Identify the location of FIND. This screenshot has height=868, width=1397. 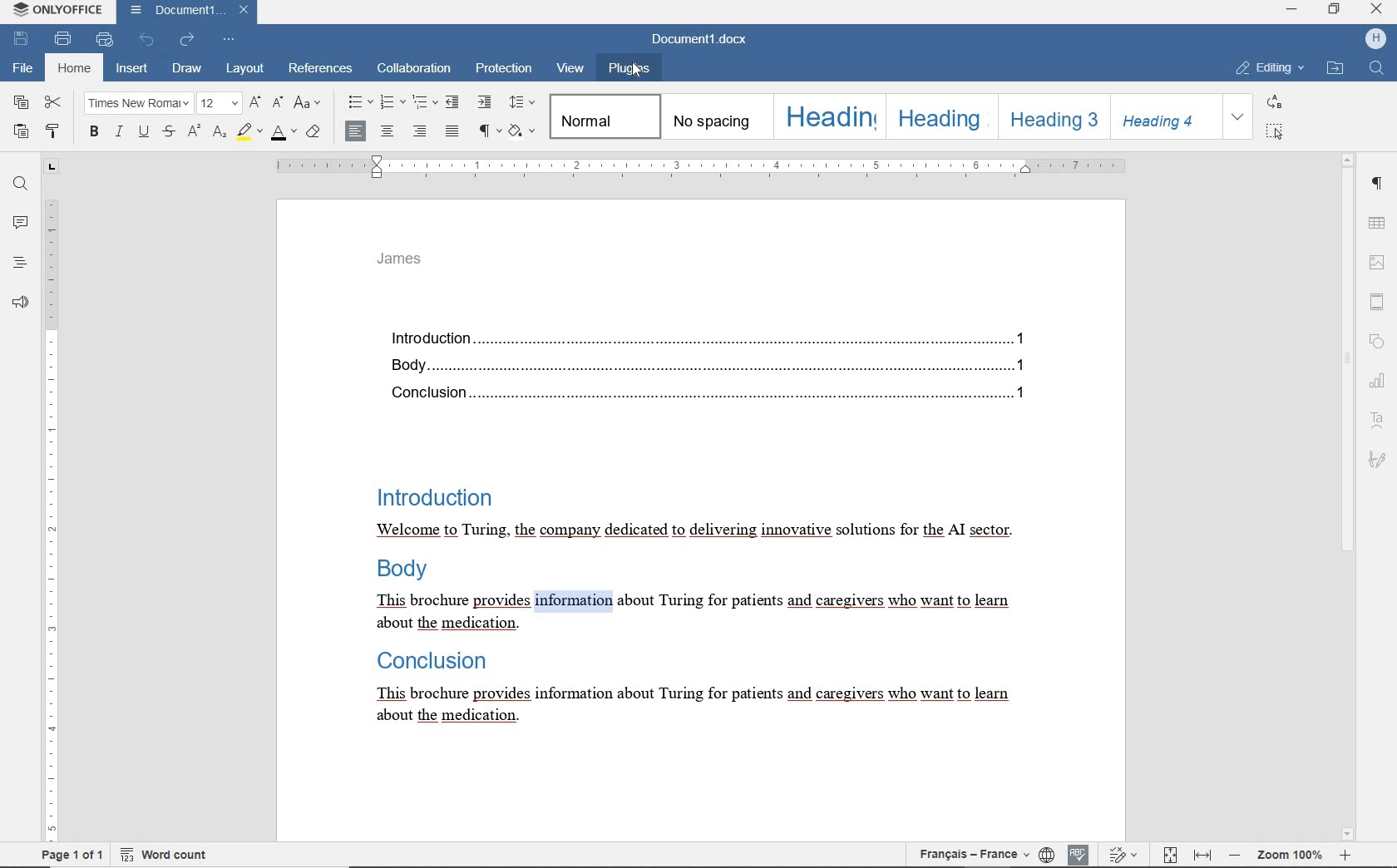
(1378, 70).